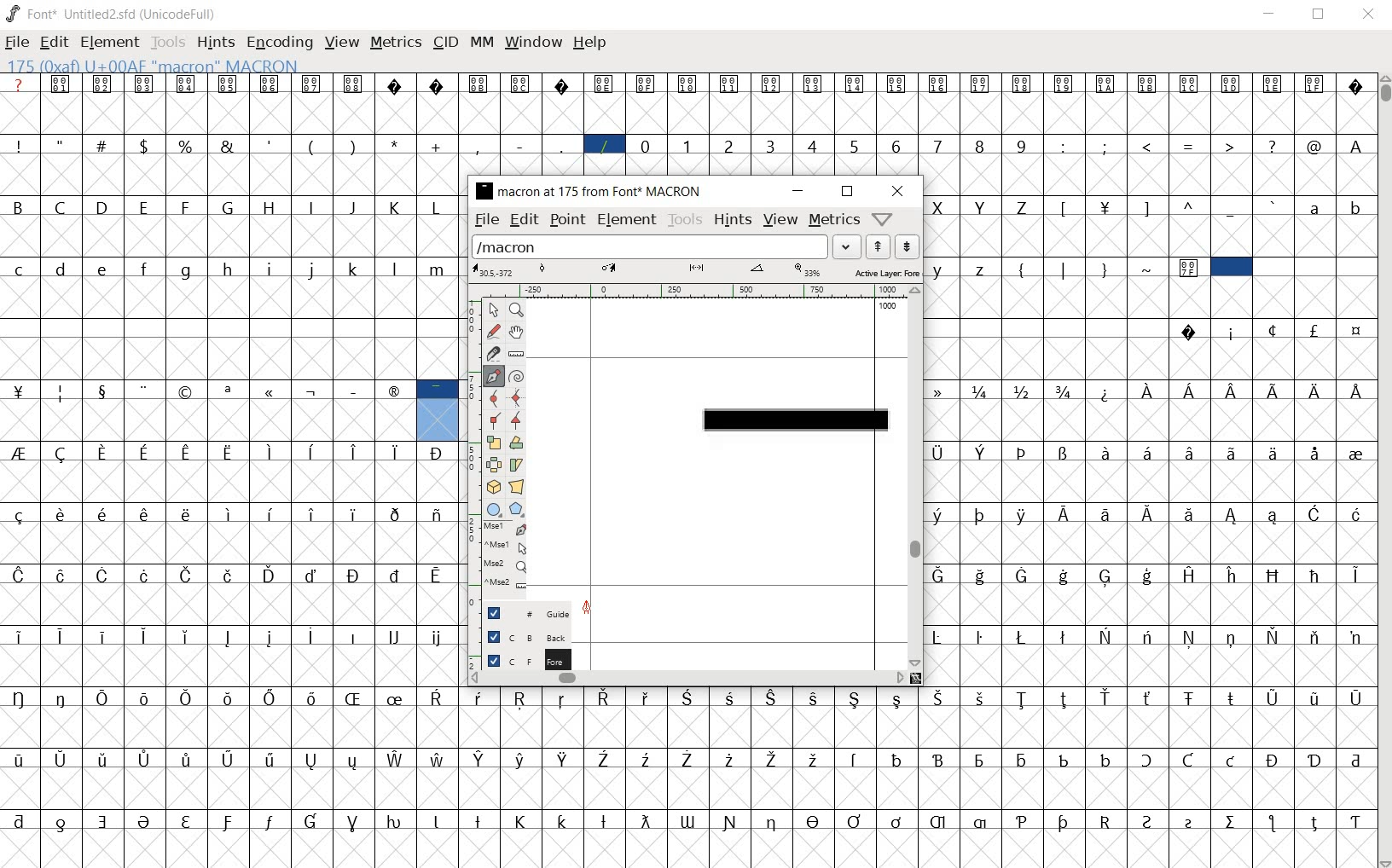 This screenshot has height=868, width=1392. I want to click on Symbol, so click(1024, 454).